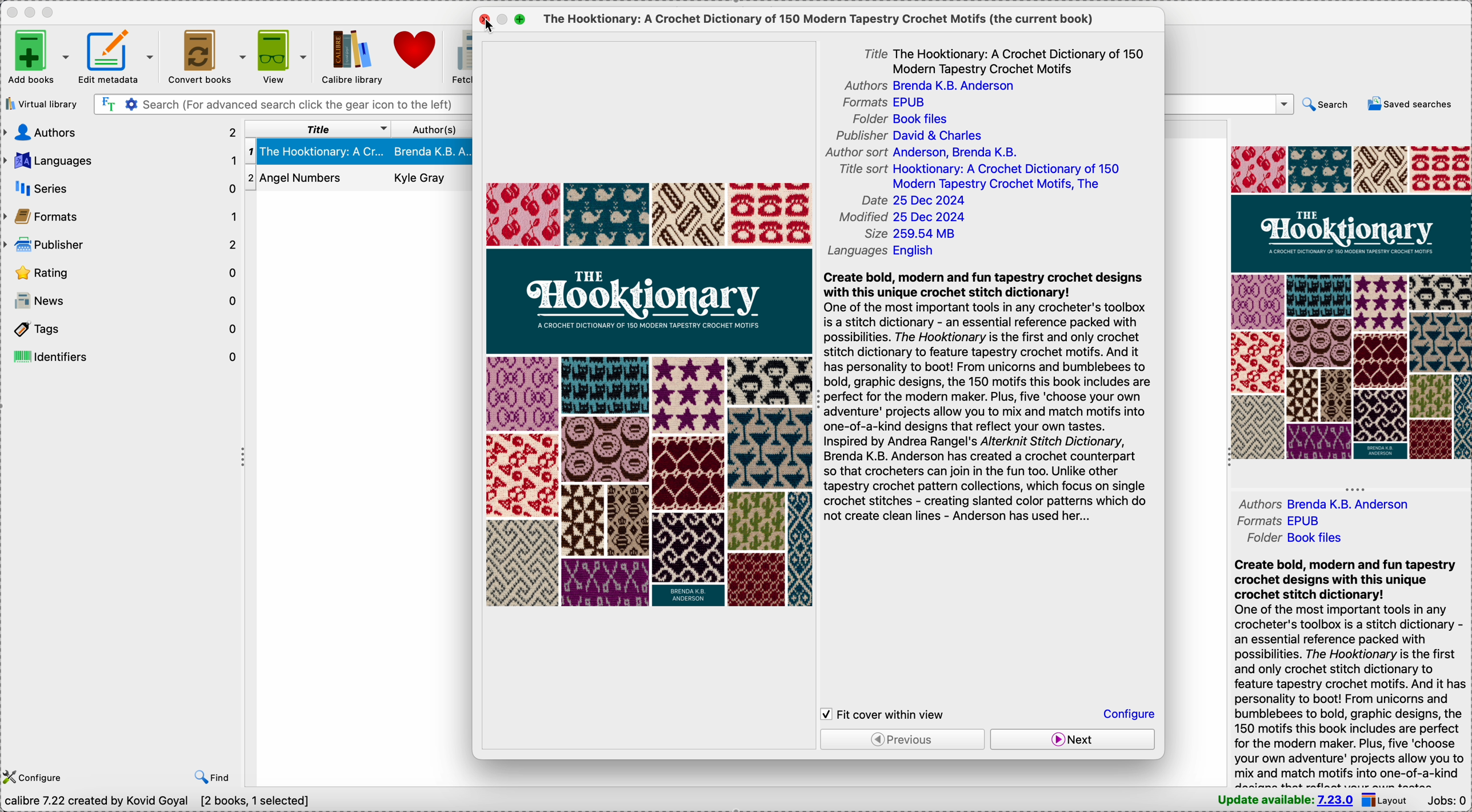  Describe the element at coordinates (1350, 671) in the screenshot. I see `synopsis` at that location.